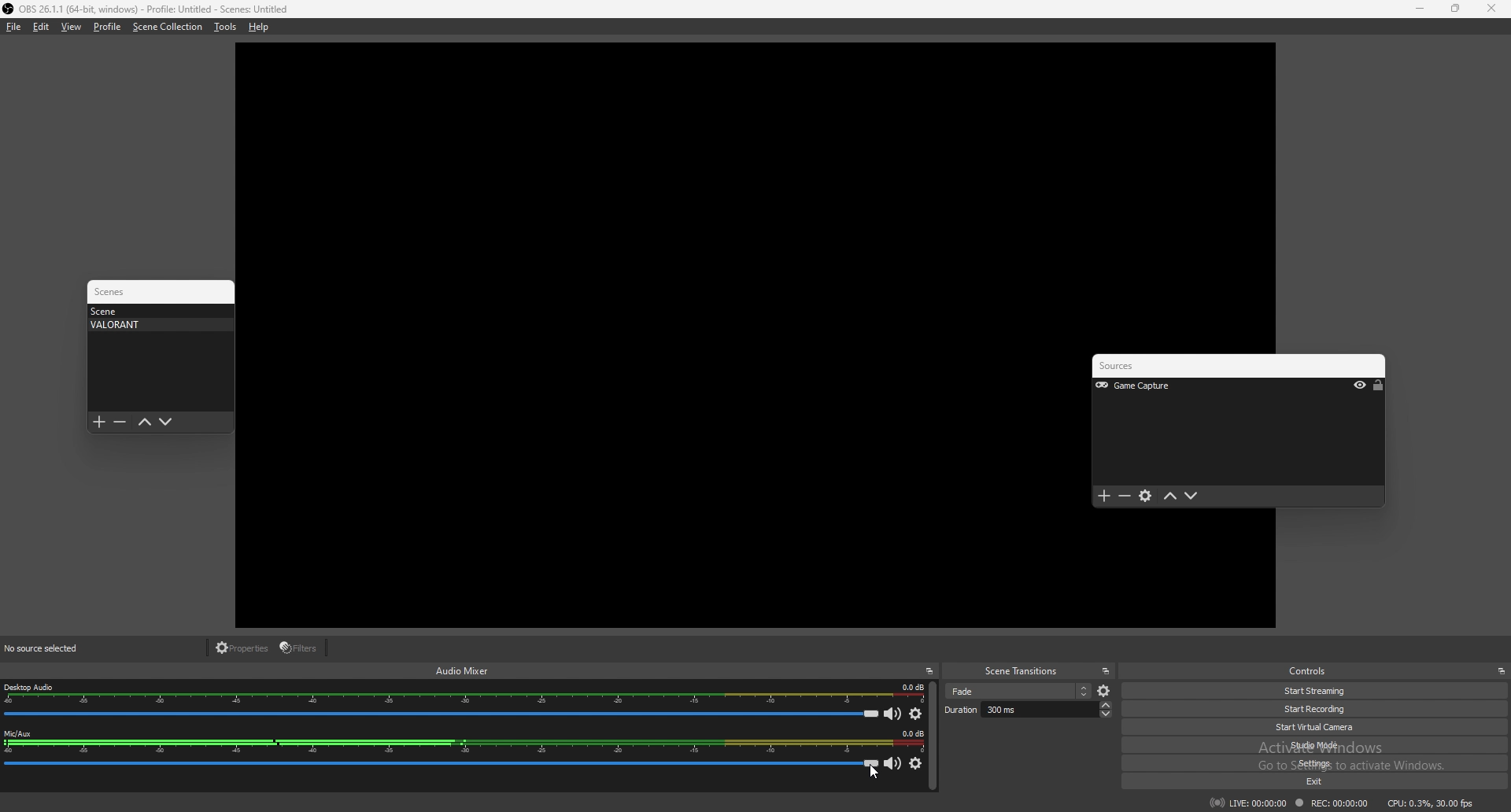  I want to click on move up, so click(144, 423).